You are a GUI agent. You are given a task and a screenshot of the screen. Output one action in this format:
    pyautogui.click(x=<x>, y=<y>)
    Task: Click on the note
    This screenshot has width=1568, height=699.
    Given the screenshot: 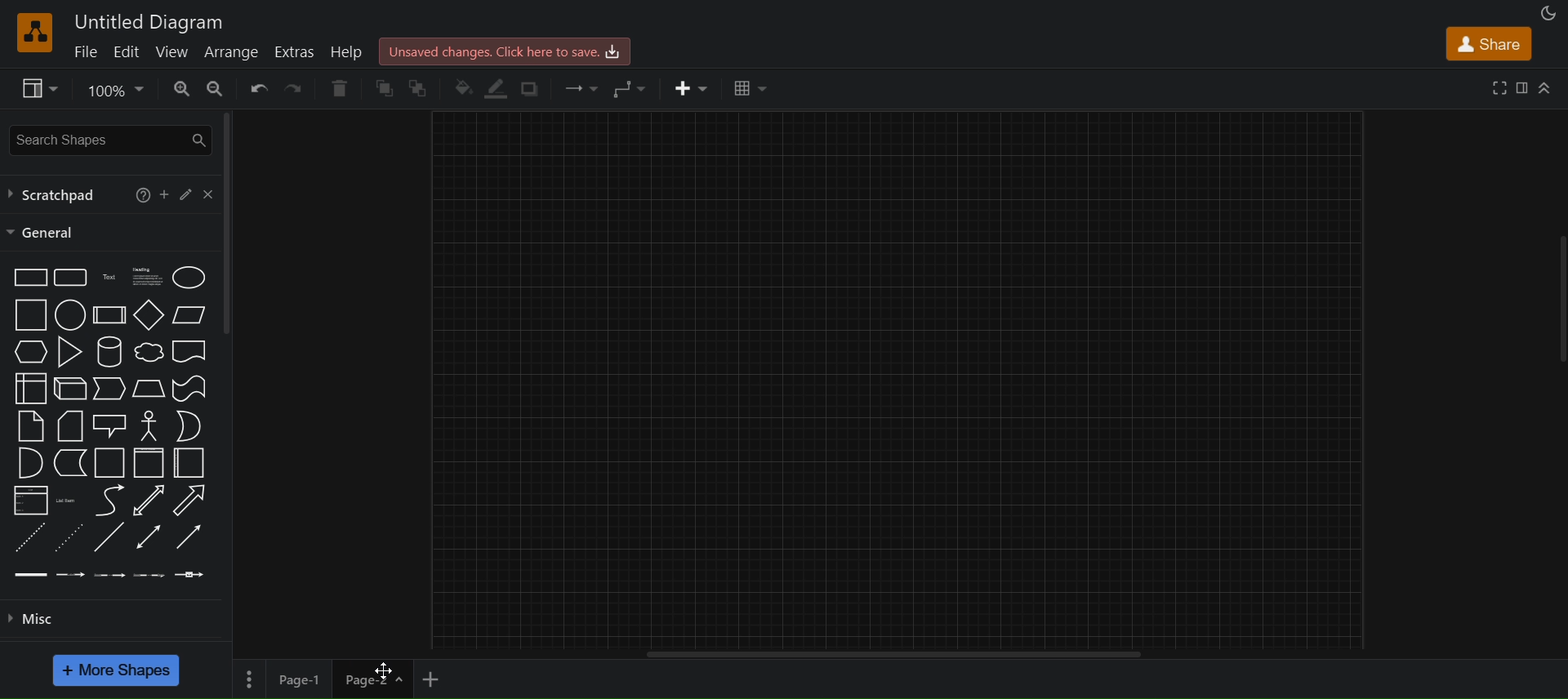 What is the action you would take?
    pyautogui.click(x=29, y=425)
    